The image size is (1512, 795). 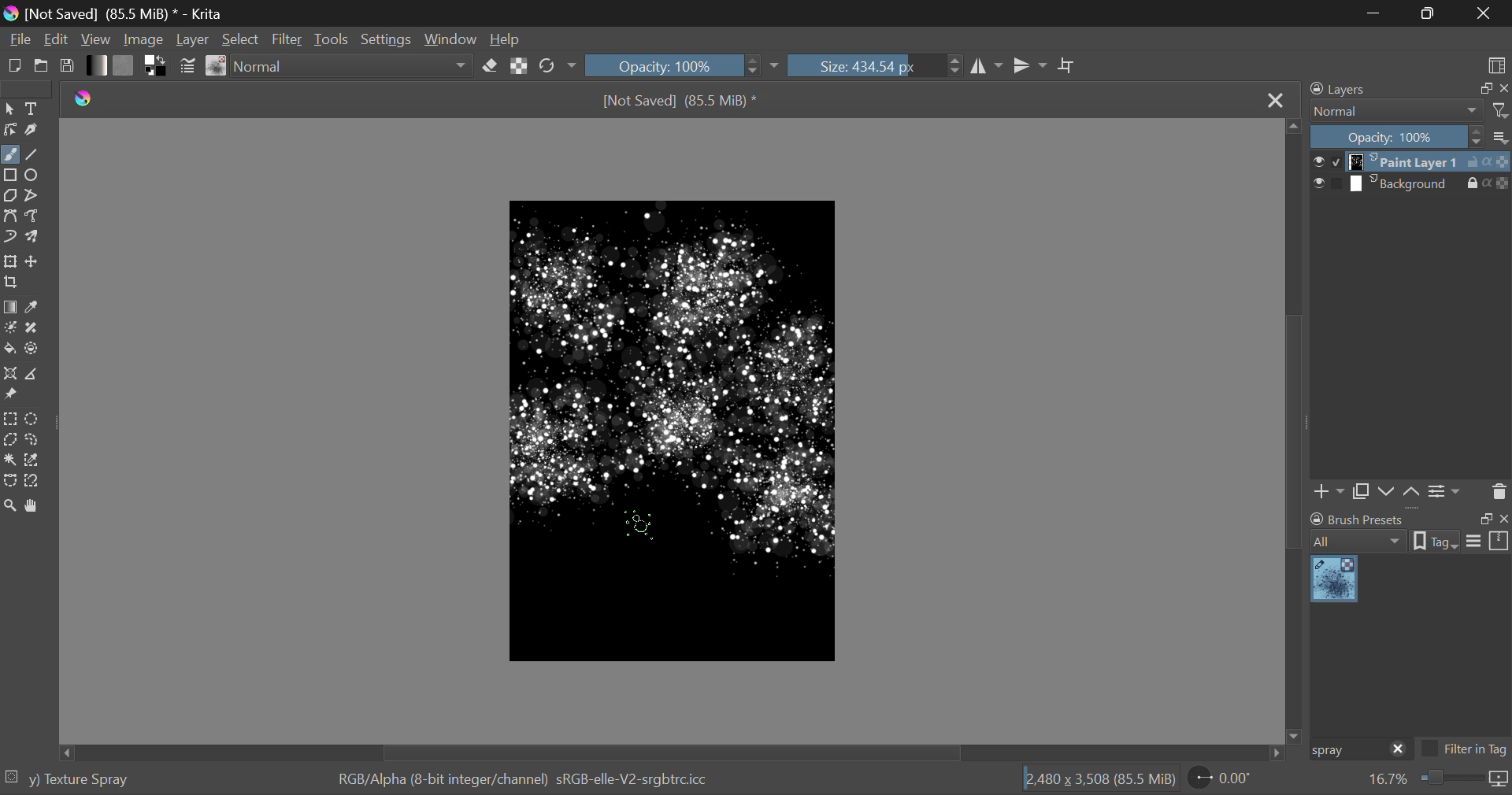 I want to click on Freehand Selection, so click(x=33, y=439).